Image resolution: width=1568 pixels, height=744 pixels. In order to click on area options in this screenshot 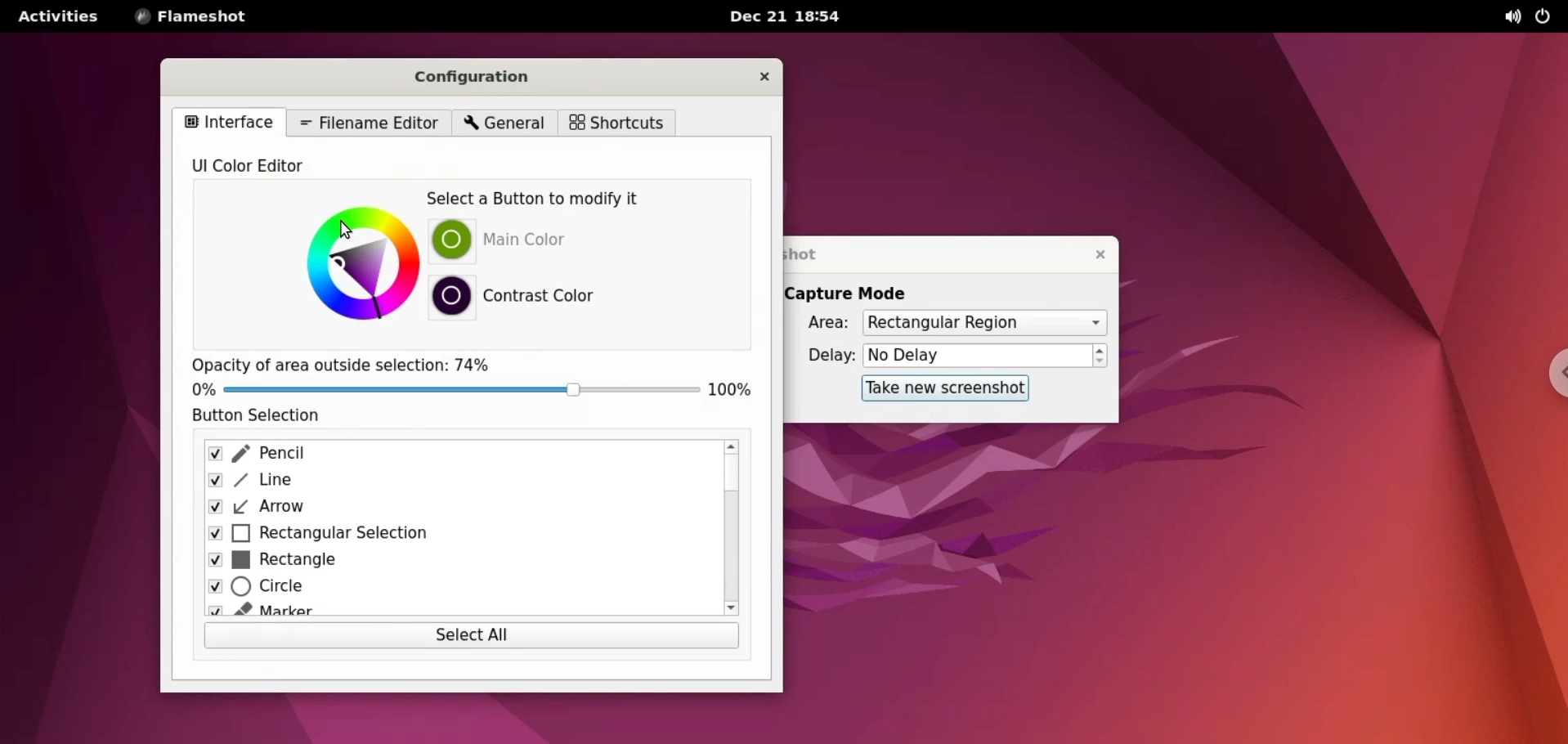, I will do `click(984, 324)`.